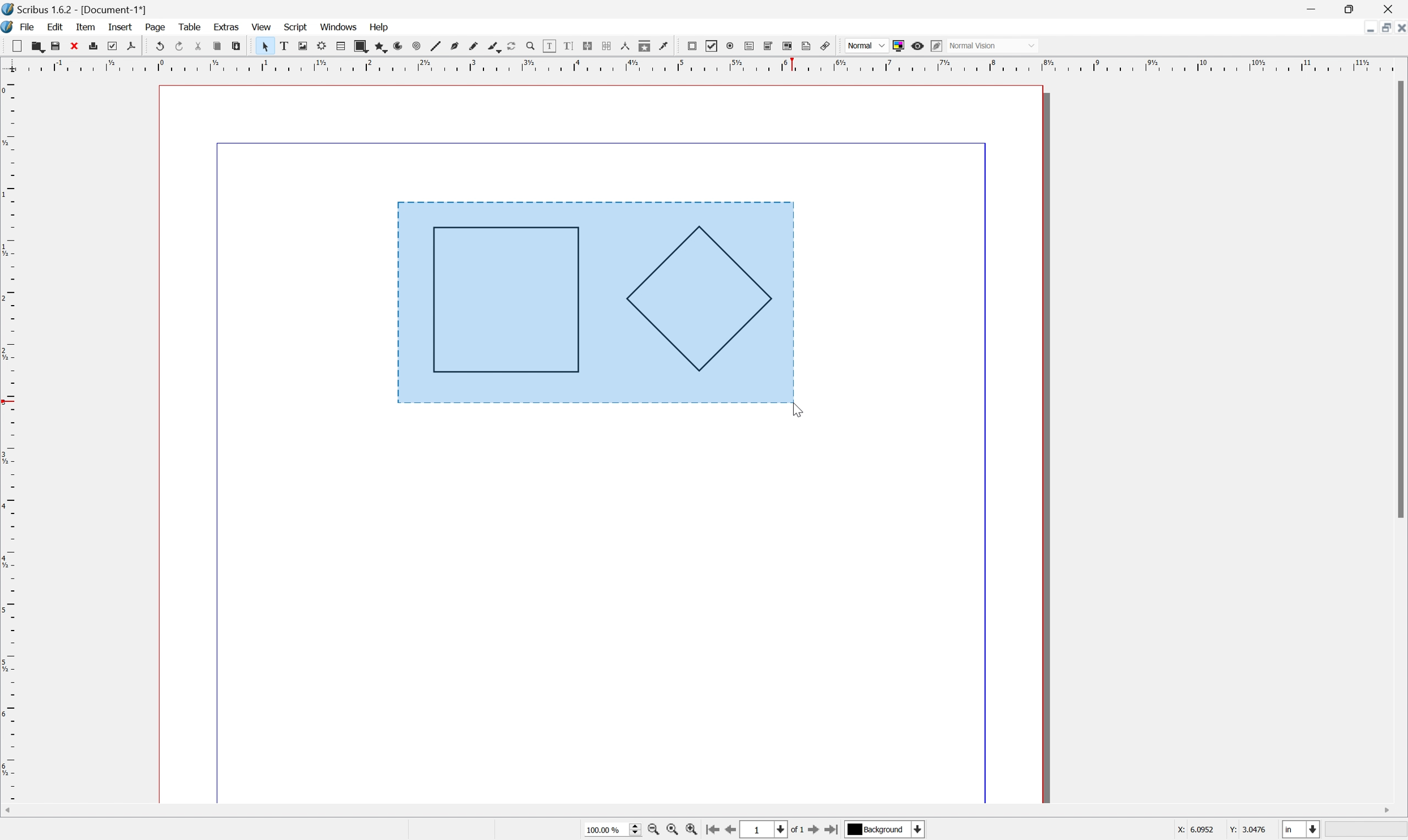 The width and height of the screenshot is (1408, 840). Describe the element at coordinates (262, 46) in the screenshot. I see `select item` at that location.